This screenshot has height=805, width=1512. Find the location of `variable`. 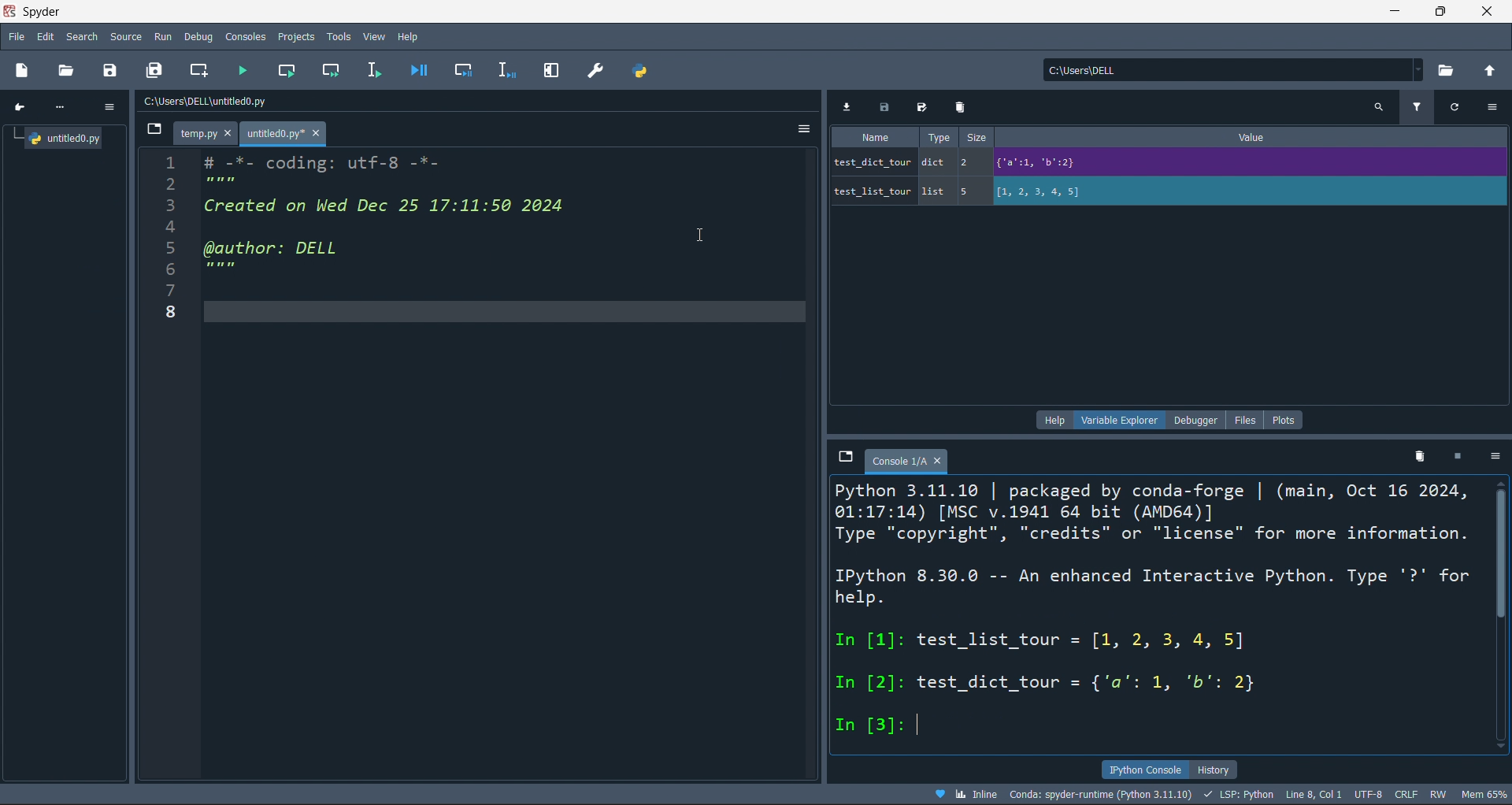

variable is located at coordinates (873, 191).